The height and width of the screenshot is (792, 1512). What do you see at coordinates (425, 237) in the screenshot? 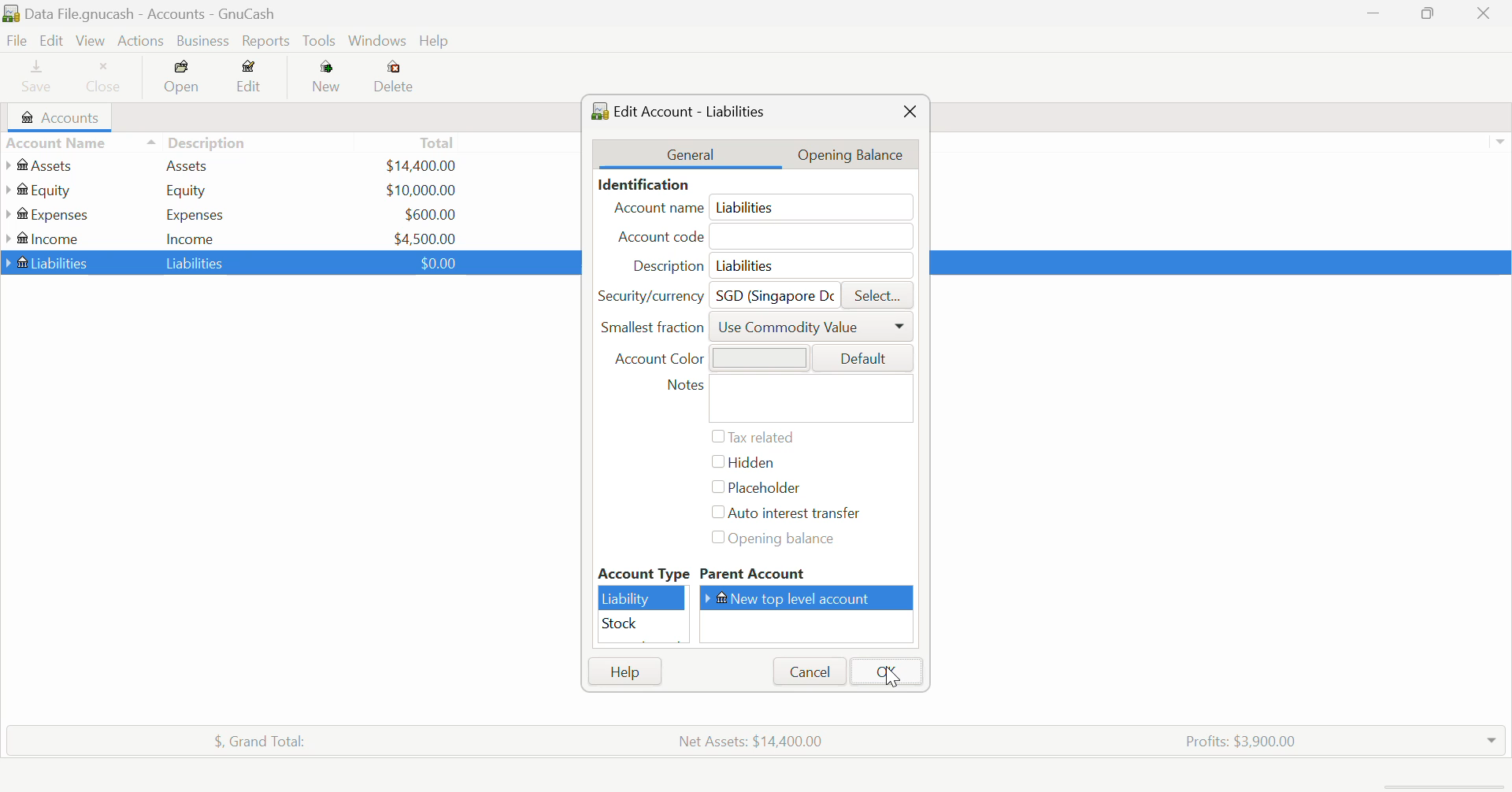
I see `USD` at bounding box center [425, 237].